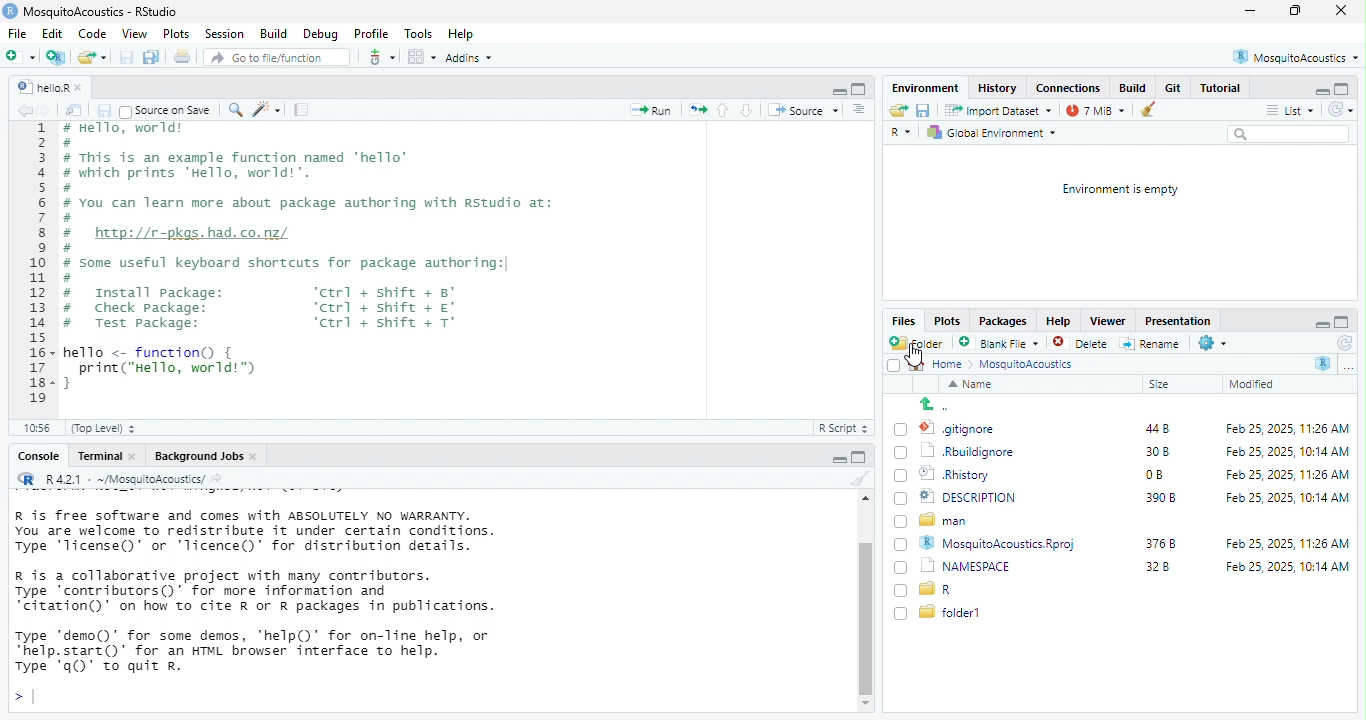  What do you see at coordinates (847, 428) in the screenshot?
I see `R Script ` at bounding box center [847, 428].